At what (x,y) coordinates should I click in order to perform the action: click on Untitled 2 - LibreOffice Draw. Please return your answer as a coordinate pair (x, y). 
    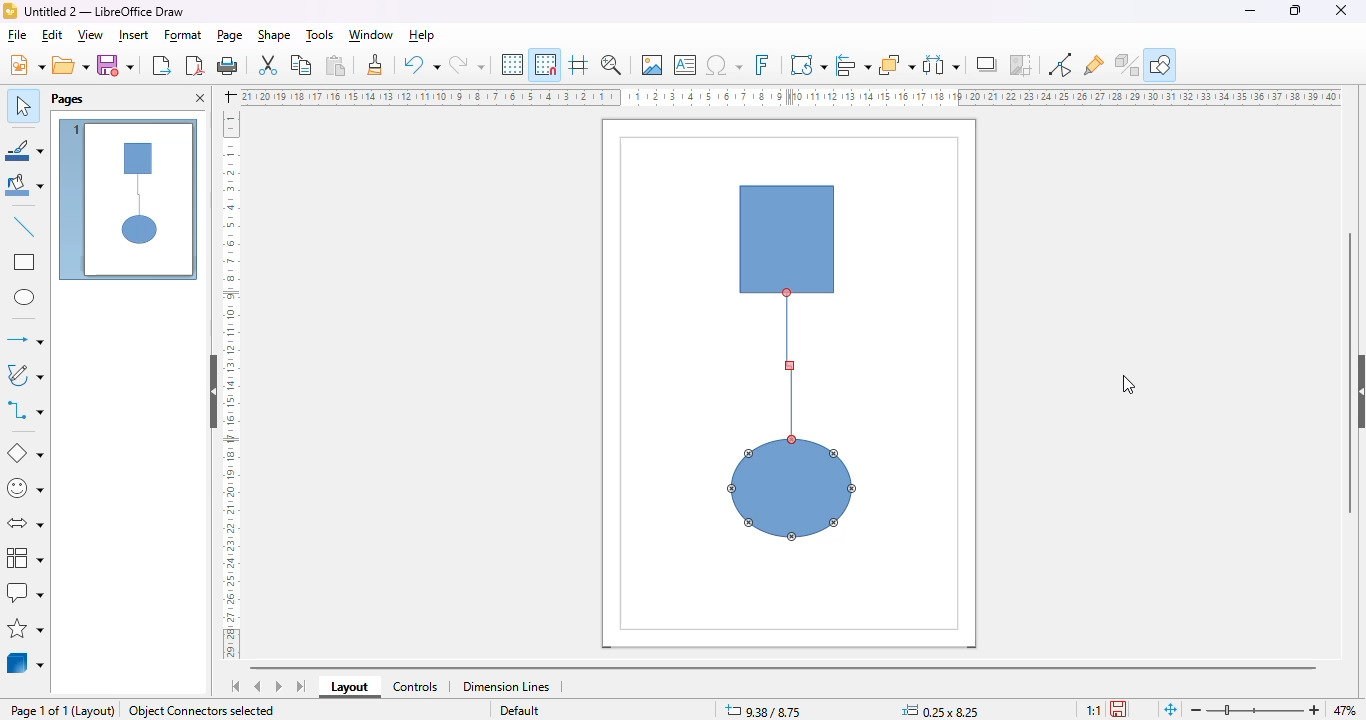
    Looking at the image, I should click on (105, 11).